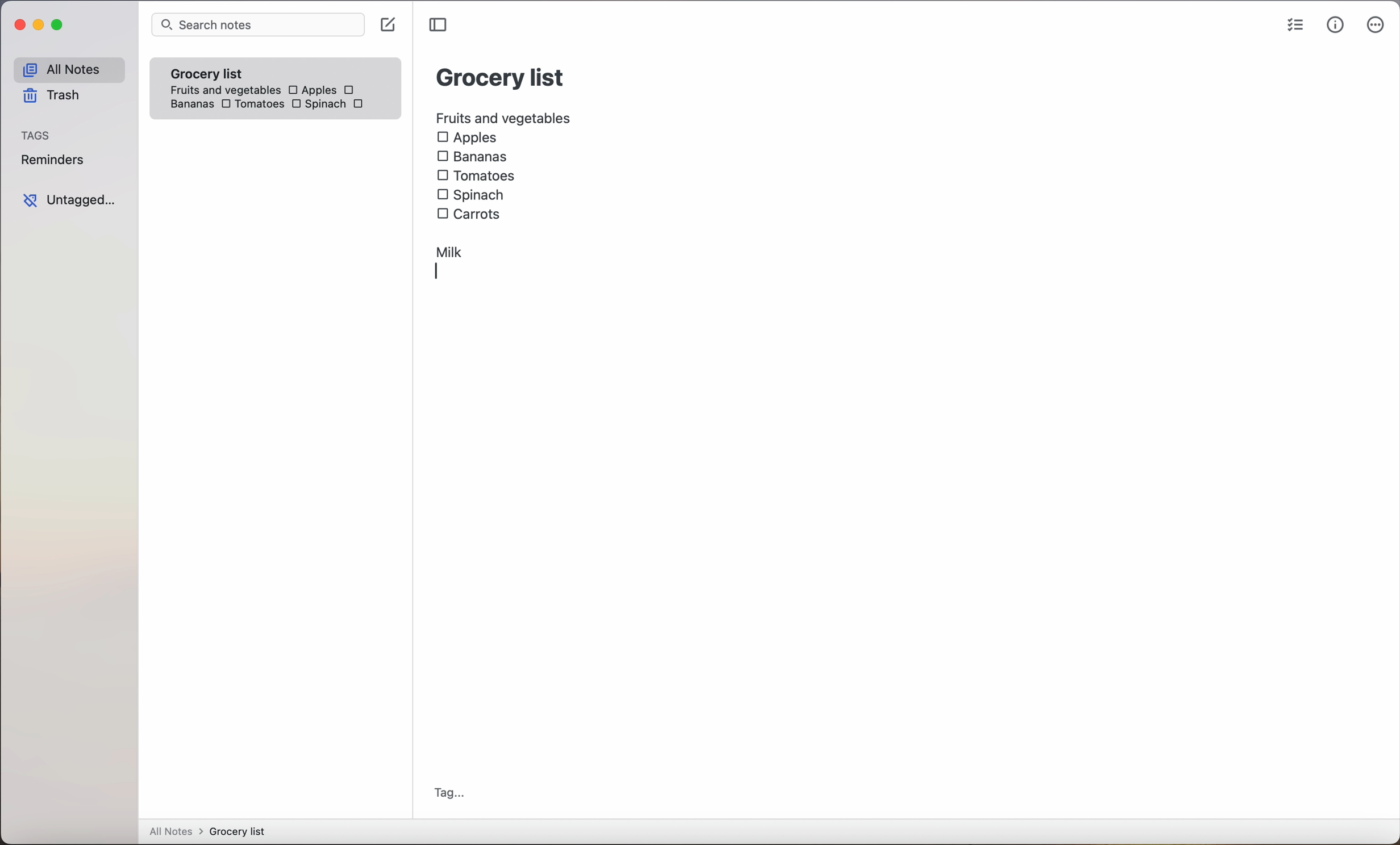 The height and width of the screenshot is (845, 1400). What do you see at coordinates (311, 90) in the screenshot?
I see `Apples checkbox` at bounding box center [311, 90].